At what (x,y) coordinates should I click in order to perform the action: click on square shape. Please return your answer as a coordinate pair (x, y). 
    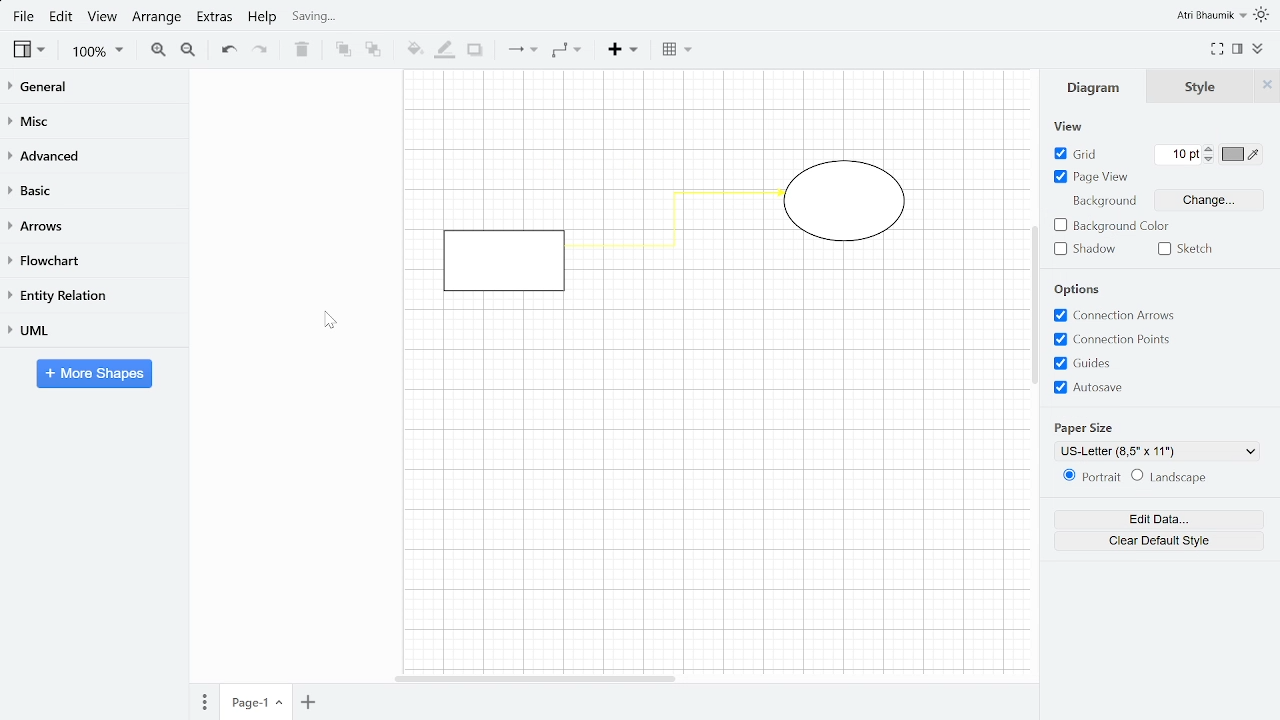
    Looking at the image, I should click on (502, 260).